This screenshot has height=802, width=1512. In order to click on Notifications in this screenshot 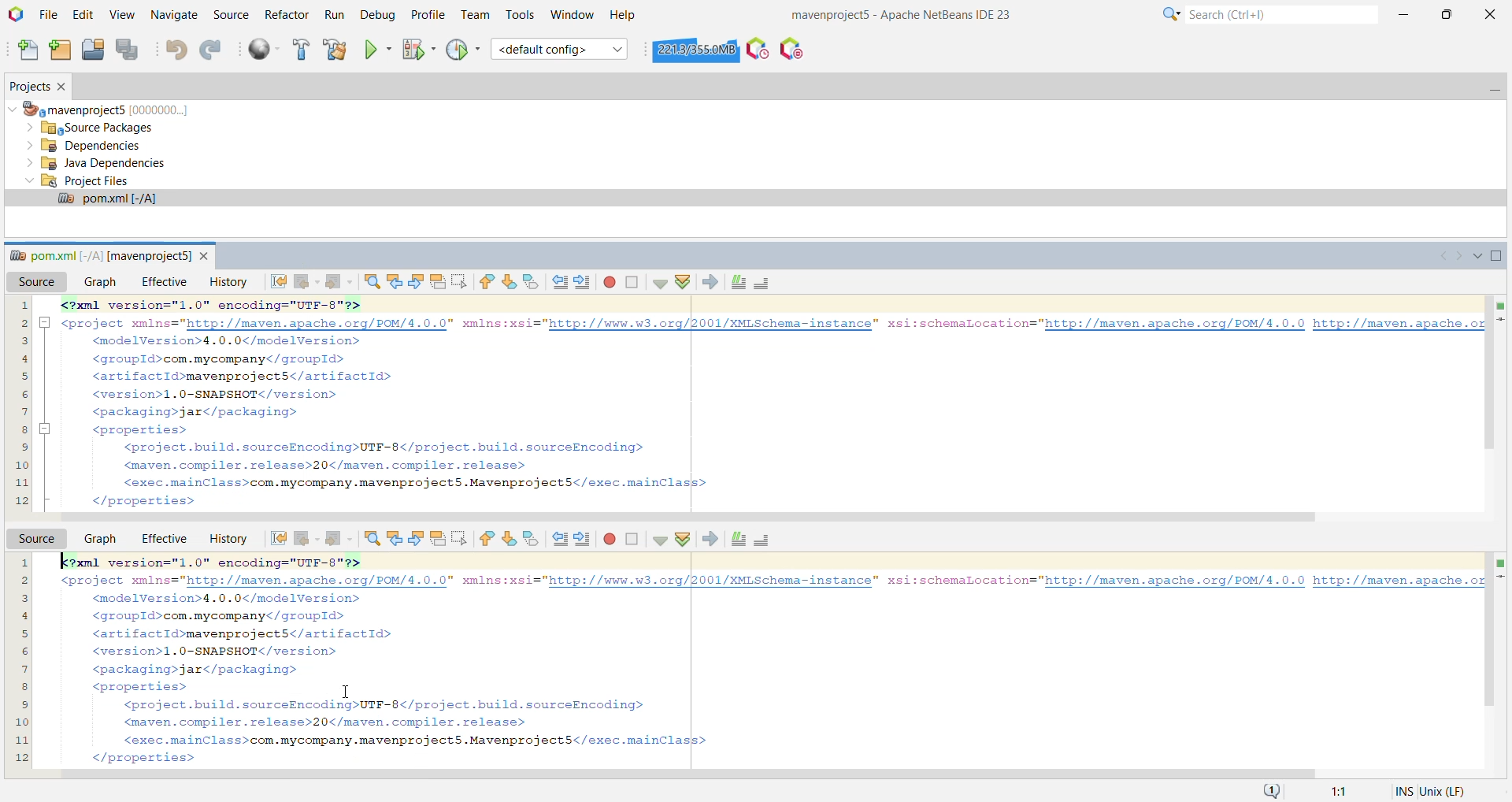, I will do `click(1273, 790)`.